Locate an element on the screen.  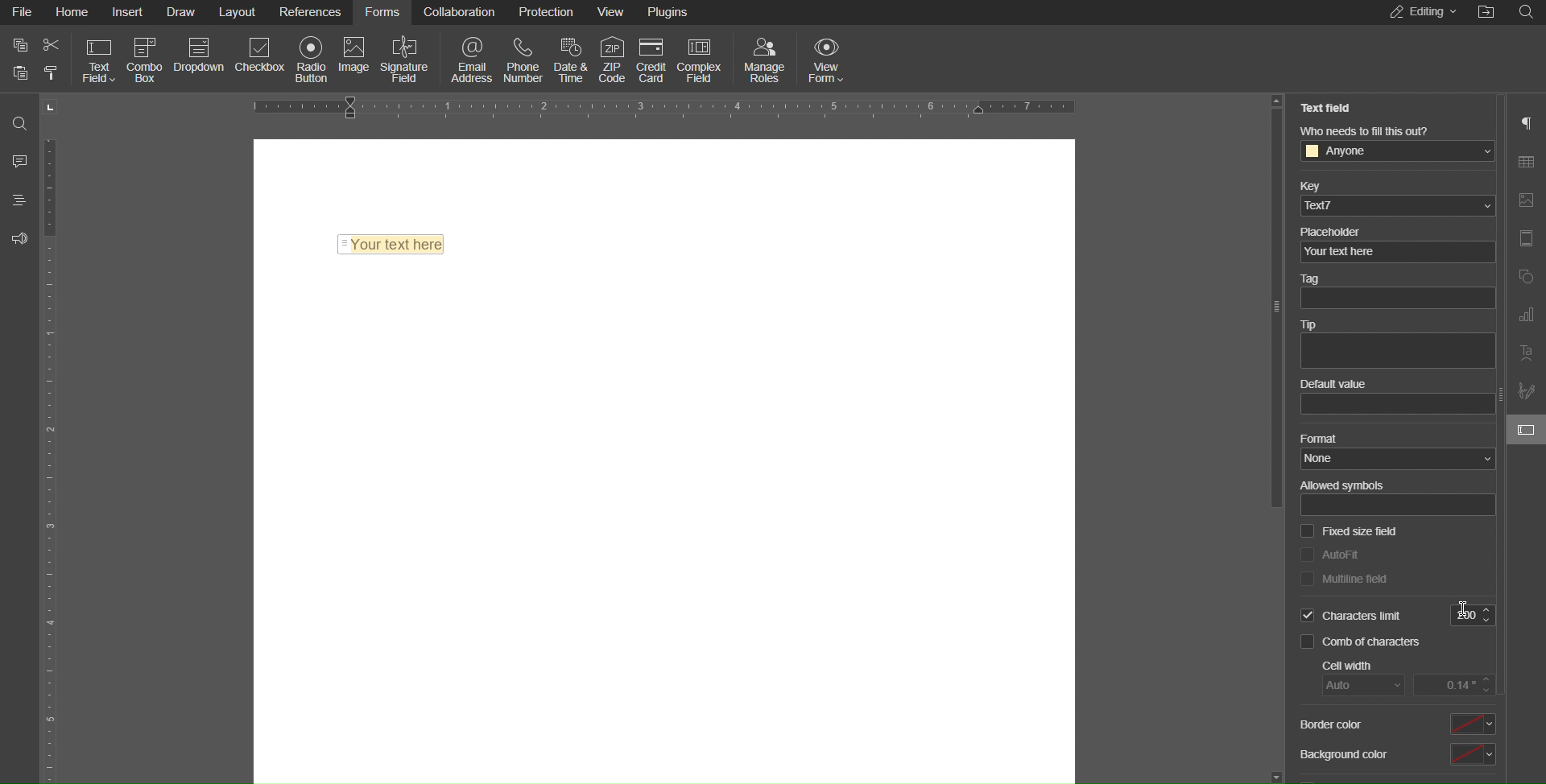
Shape Settings is located at coordinates (1526, 275).